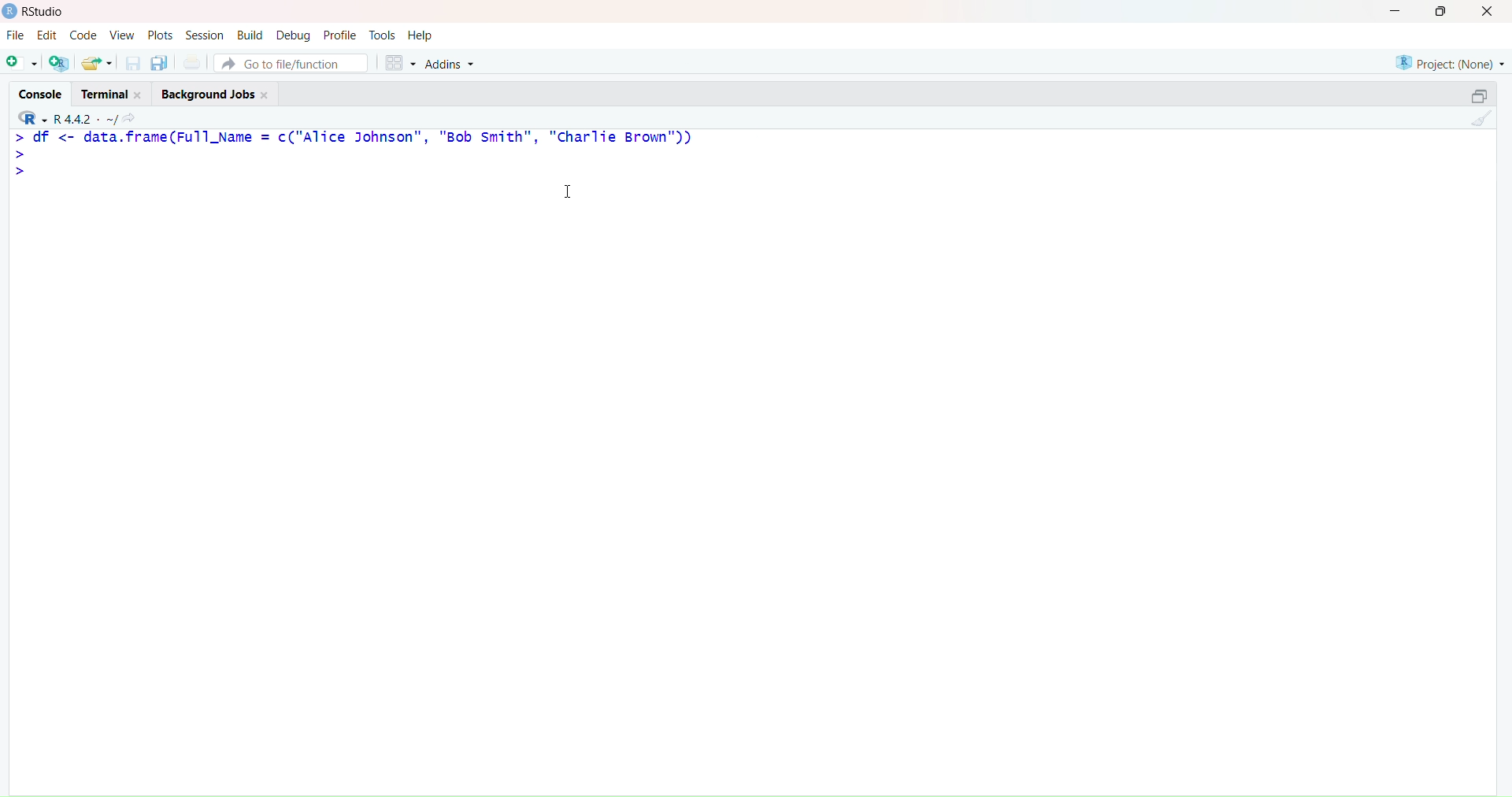 The height and width of the screenshot is (797, 1512). What do you see at coordinates (28, 117) in the screenshot?
I see `R` at bounding box center [28, 117].